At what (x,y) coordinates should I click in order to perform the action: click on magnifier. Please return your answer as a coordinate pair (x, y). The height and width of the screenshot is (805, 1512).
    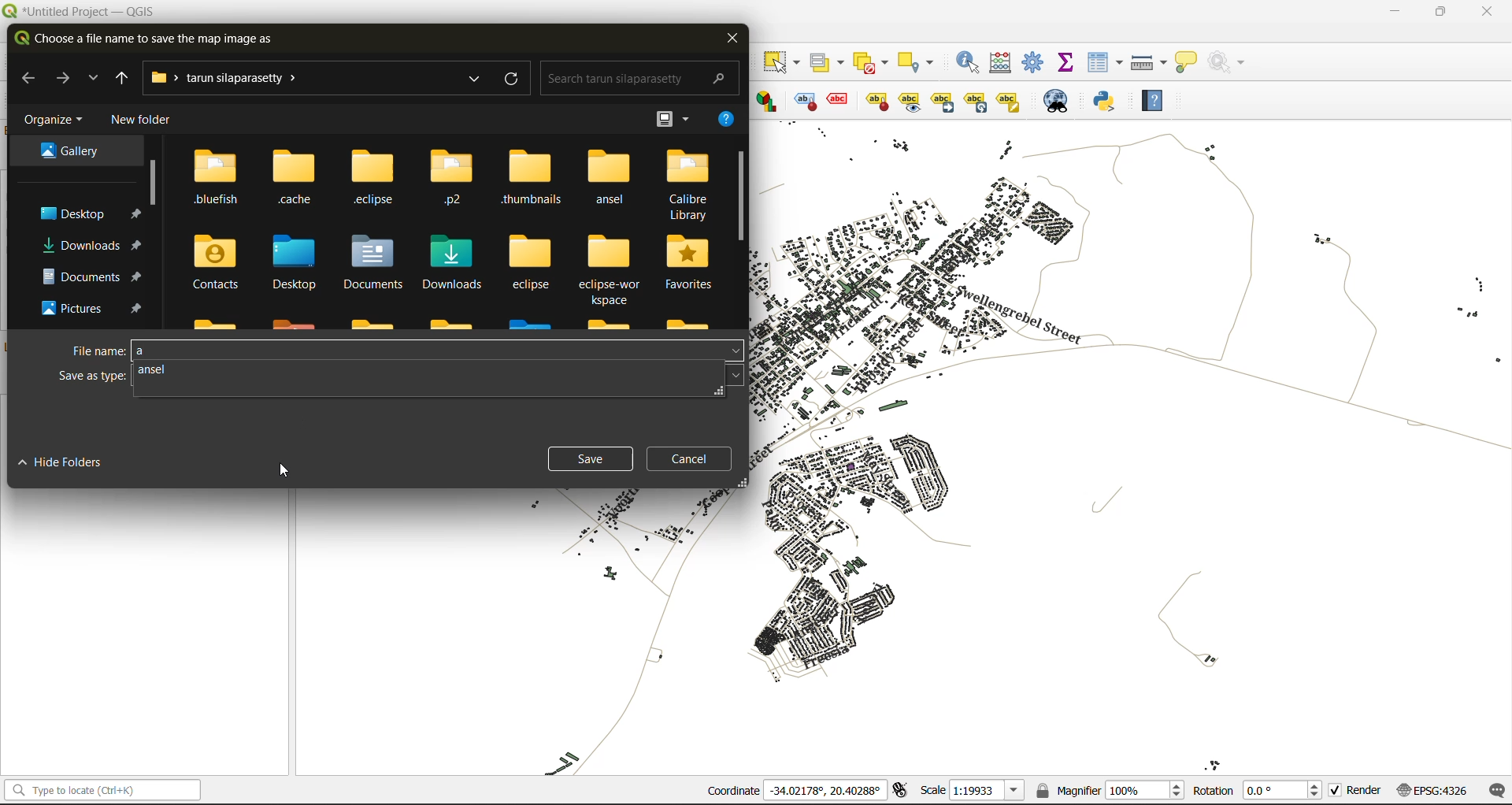
    Looking at the image, I should click on (1110, 788).